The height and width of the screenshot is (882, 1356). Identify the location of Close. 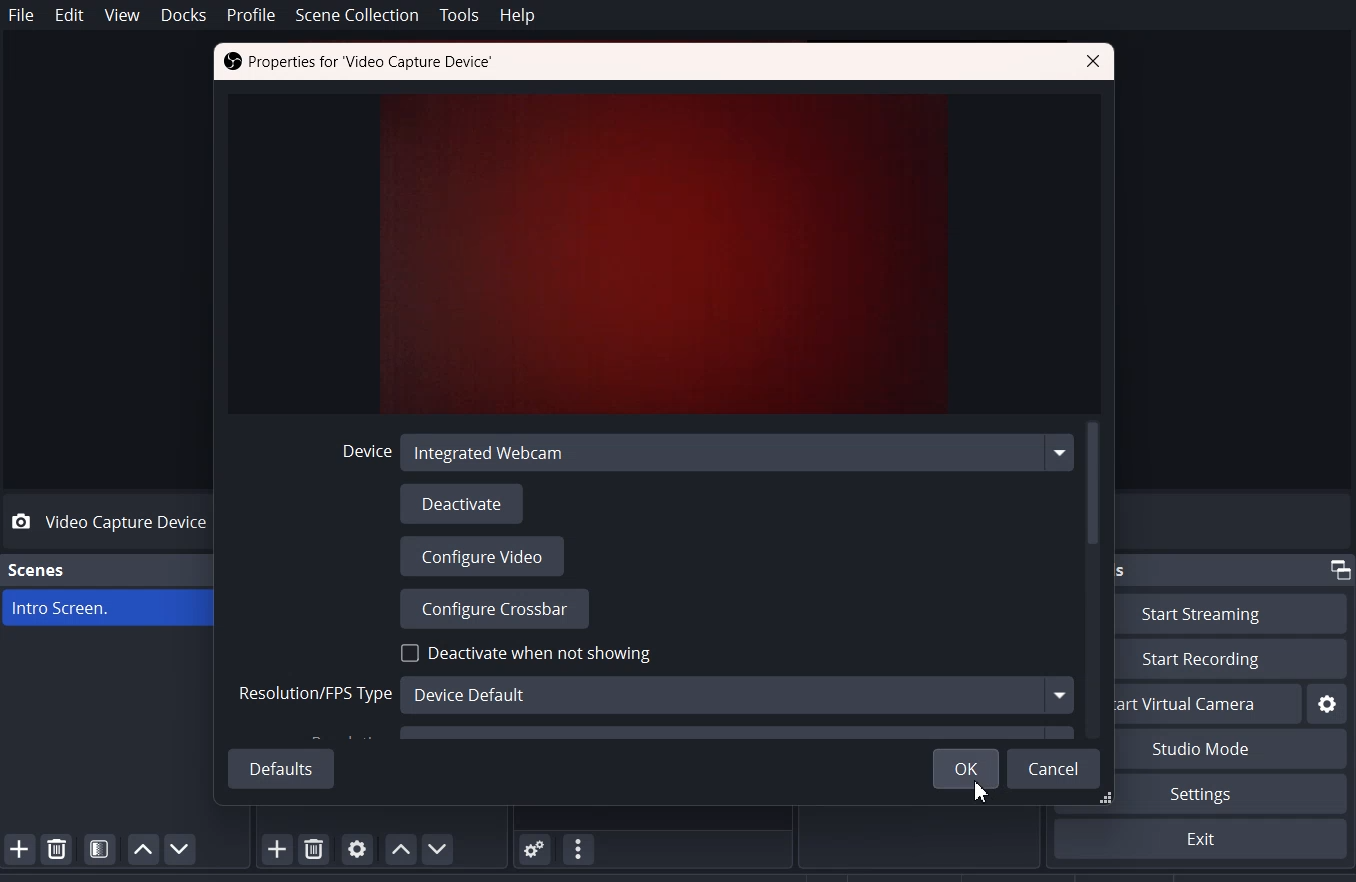
(1093, 63).